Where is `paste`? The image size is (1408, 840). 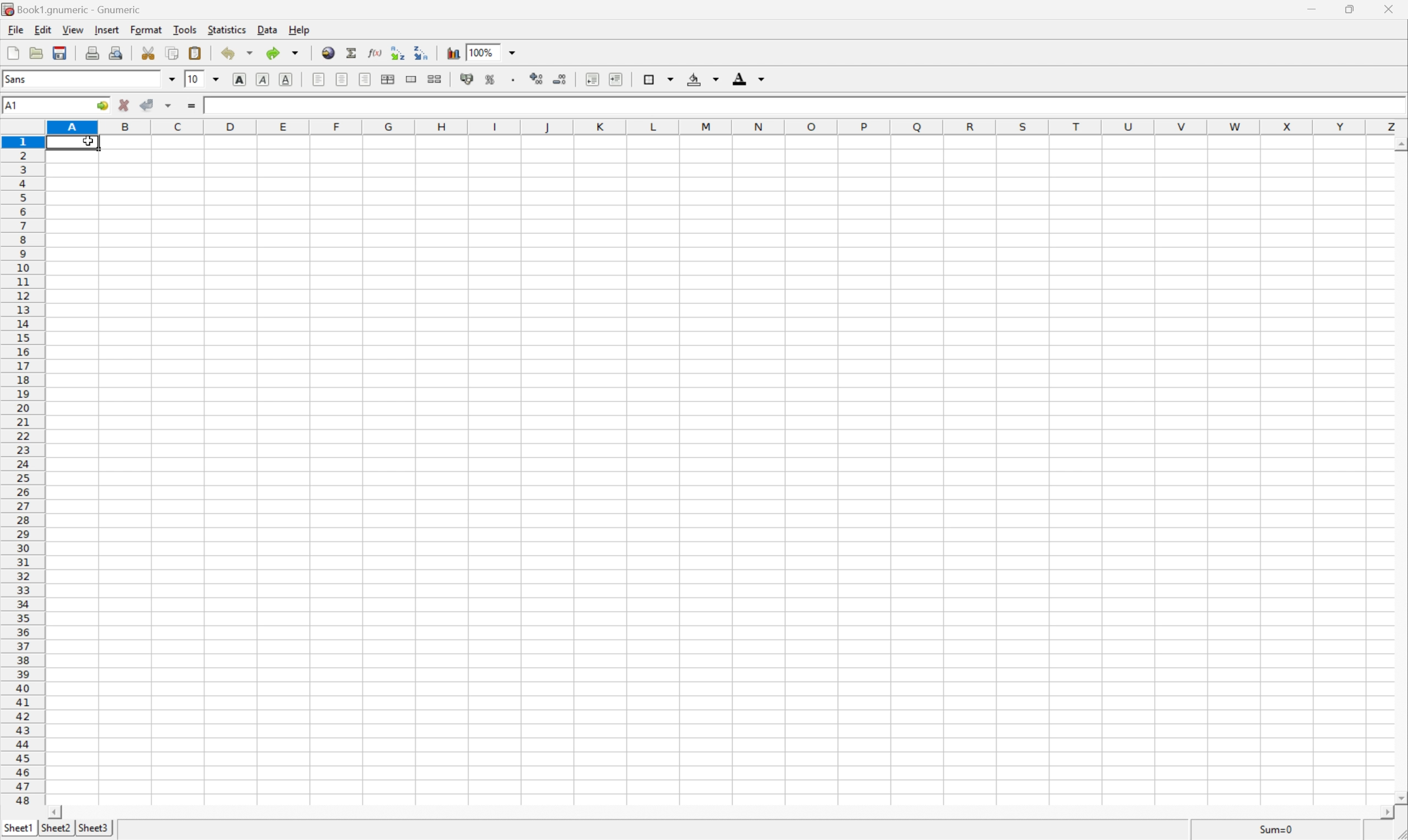 paste is located at coordinates (195, 52).